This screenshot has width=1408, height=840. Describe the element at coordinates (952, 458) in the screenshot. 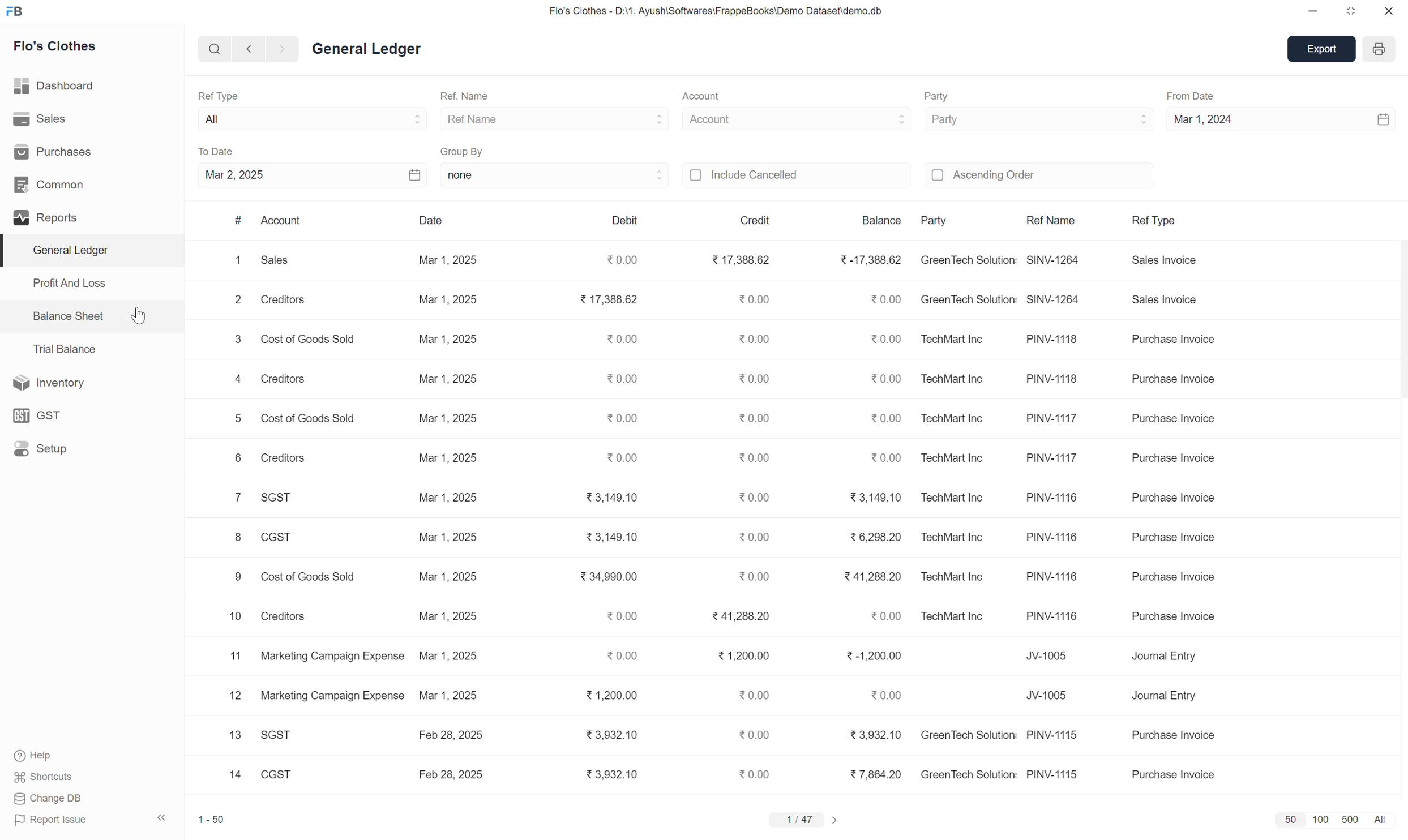

I see `TechMart Inc` at that location.